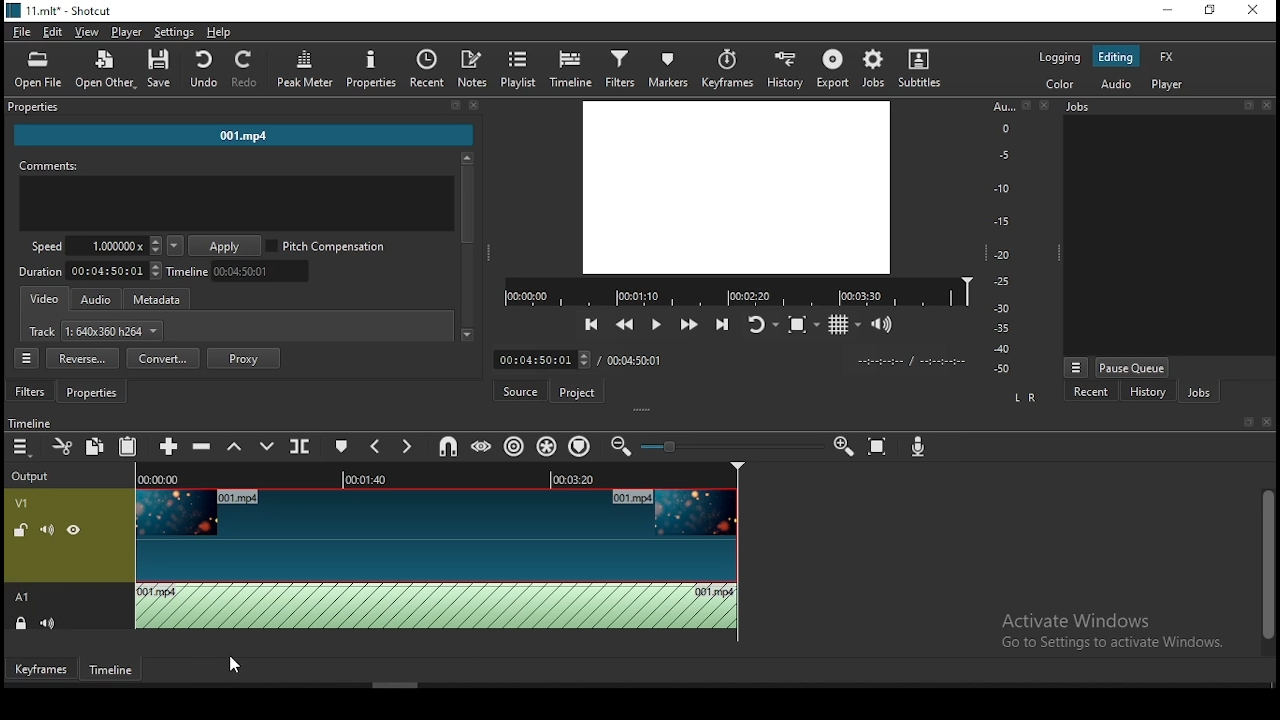 This screenshot has width=1280, height=720. Describe the element at coordinates (204, 446) in the screenshot. I see `ripple delete` at that location.